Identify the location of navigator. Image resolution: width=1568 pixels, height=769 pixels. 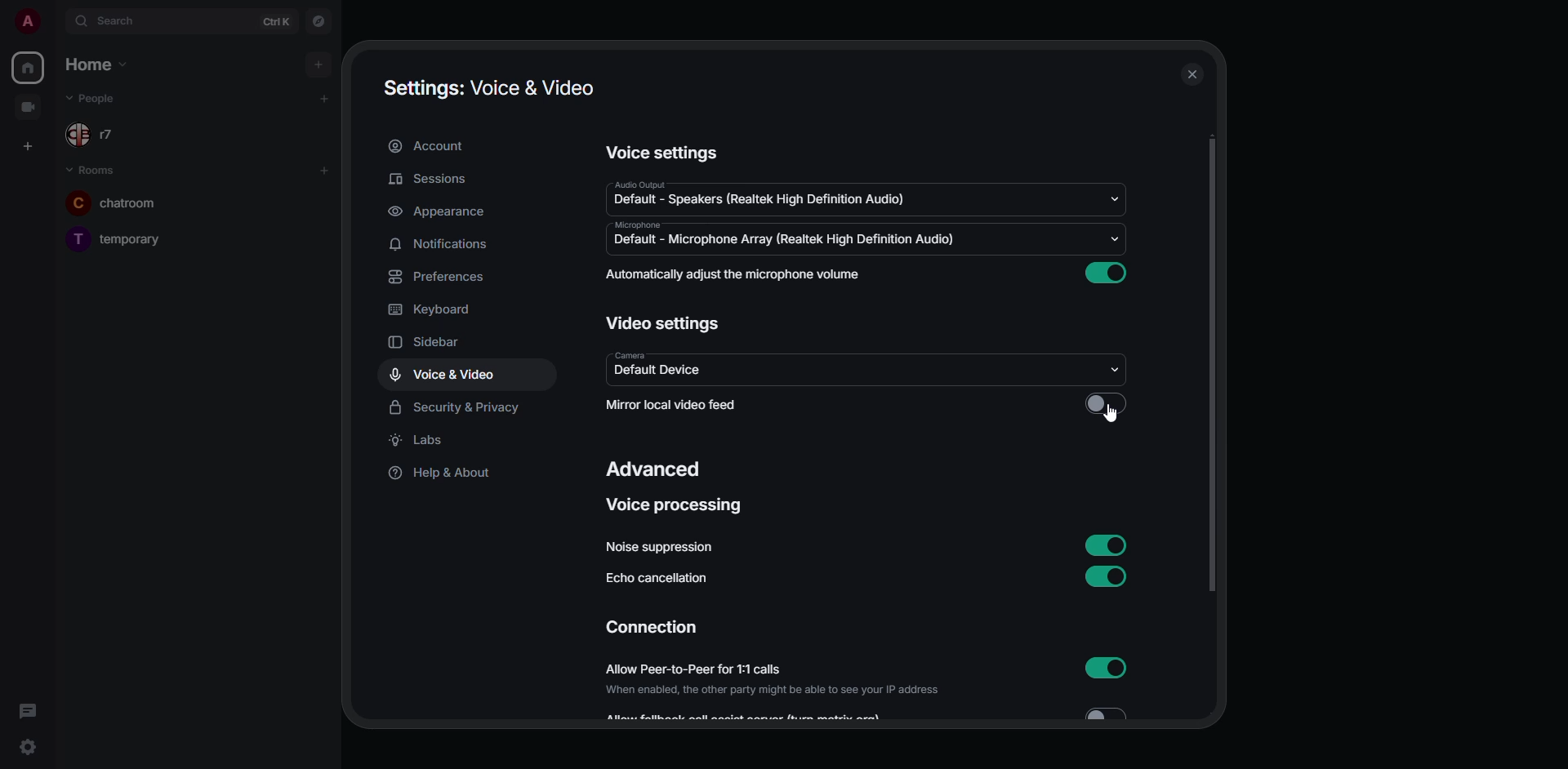
(319, 21).